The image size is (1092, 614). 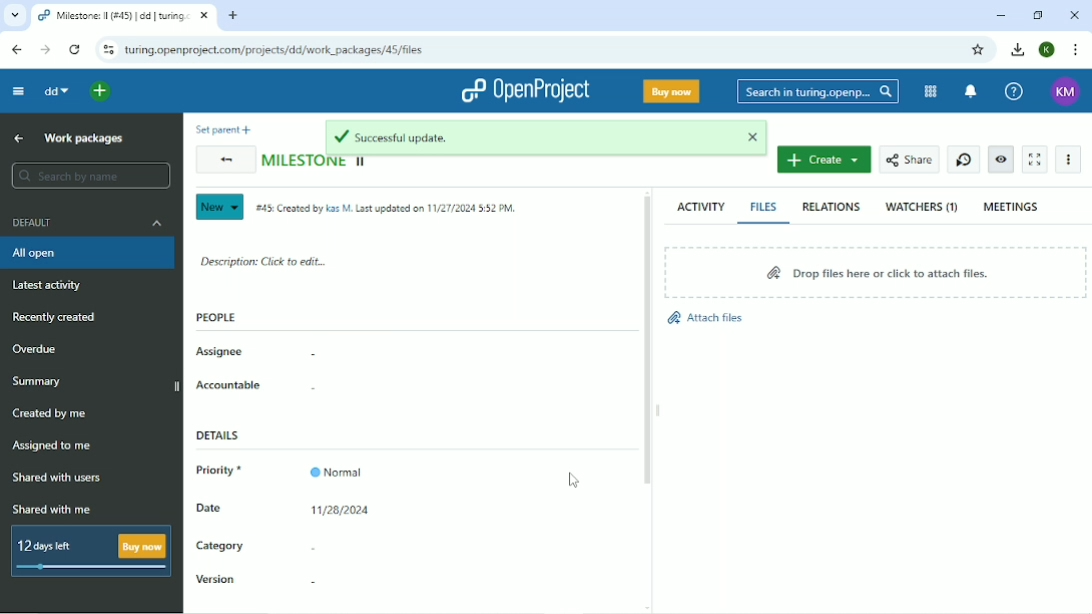 I want to click on New tab, so click(x=233, y=16).